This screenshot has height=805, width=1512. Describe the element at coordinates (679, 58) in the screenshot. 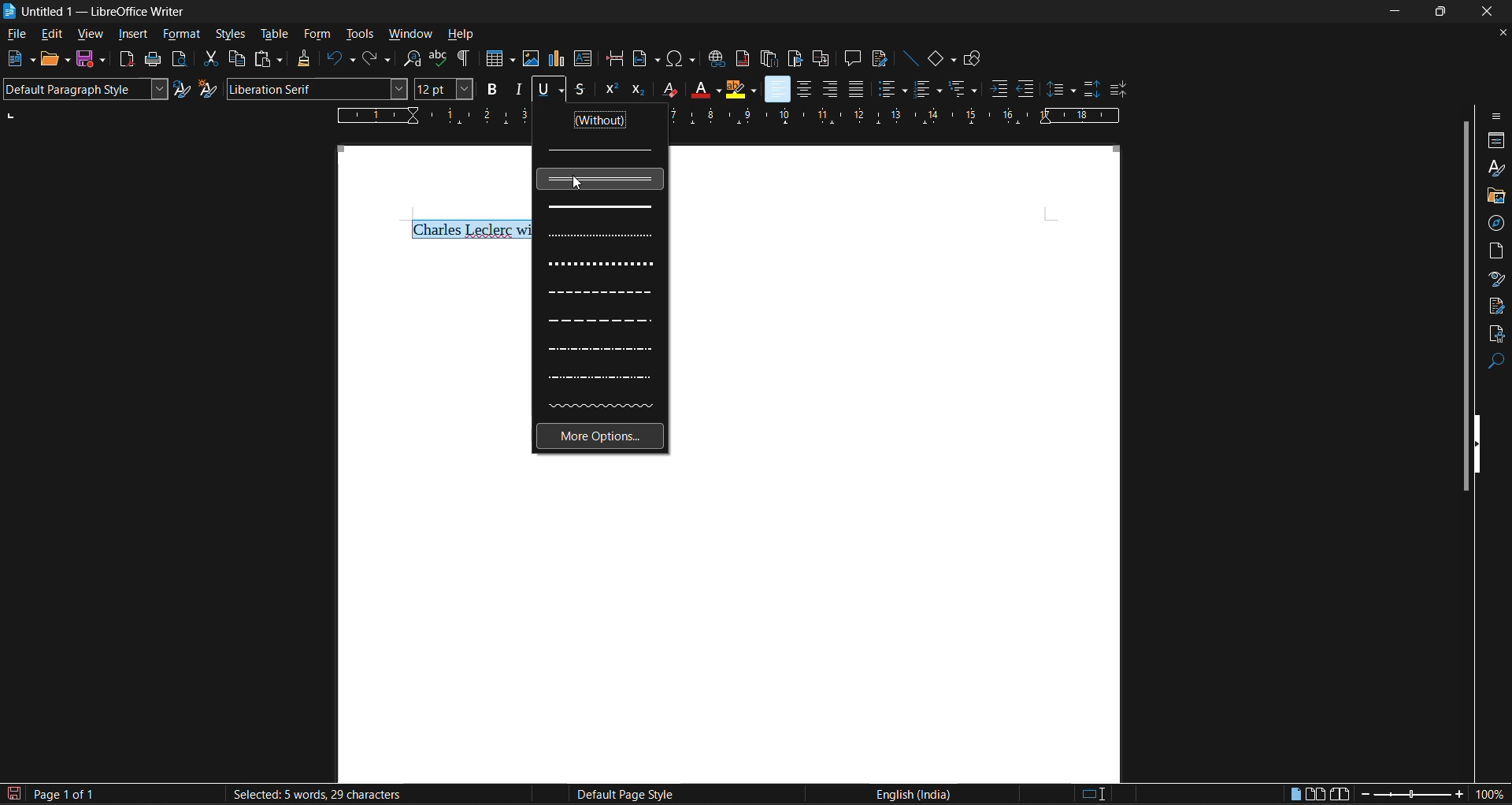

I see `insert special characters` at that location.